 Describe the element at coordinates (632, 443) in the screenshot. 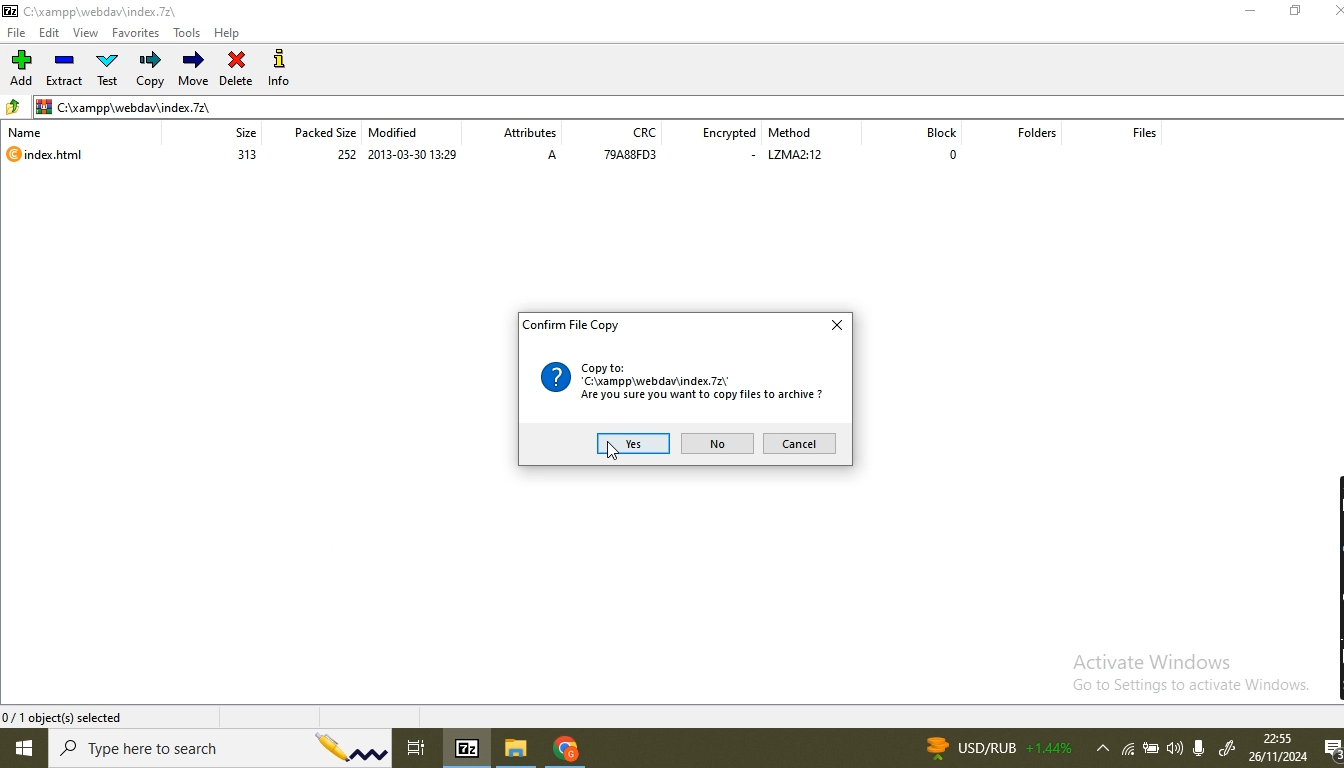

I see `yes` at that location.